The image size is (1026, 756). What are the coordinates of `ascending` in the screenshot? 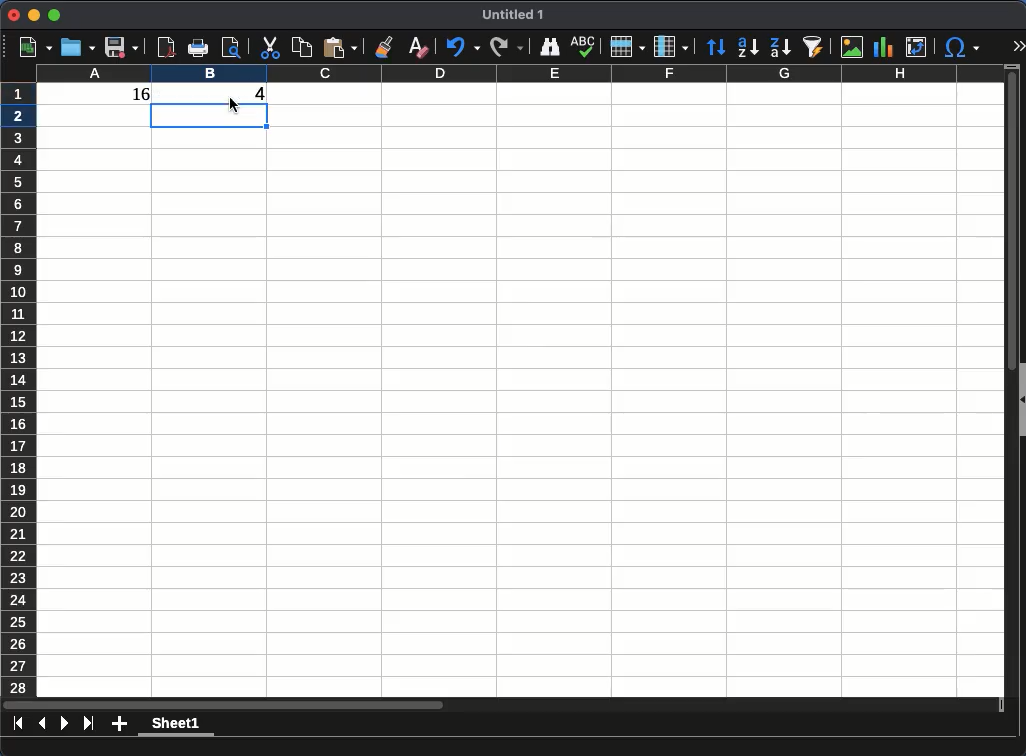 It's located at (748, 48).